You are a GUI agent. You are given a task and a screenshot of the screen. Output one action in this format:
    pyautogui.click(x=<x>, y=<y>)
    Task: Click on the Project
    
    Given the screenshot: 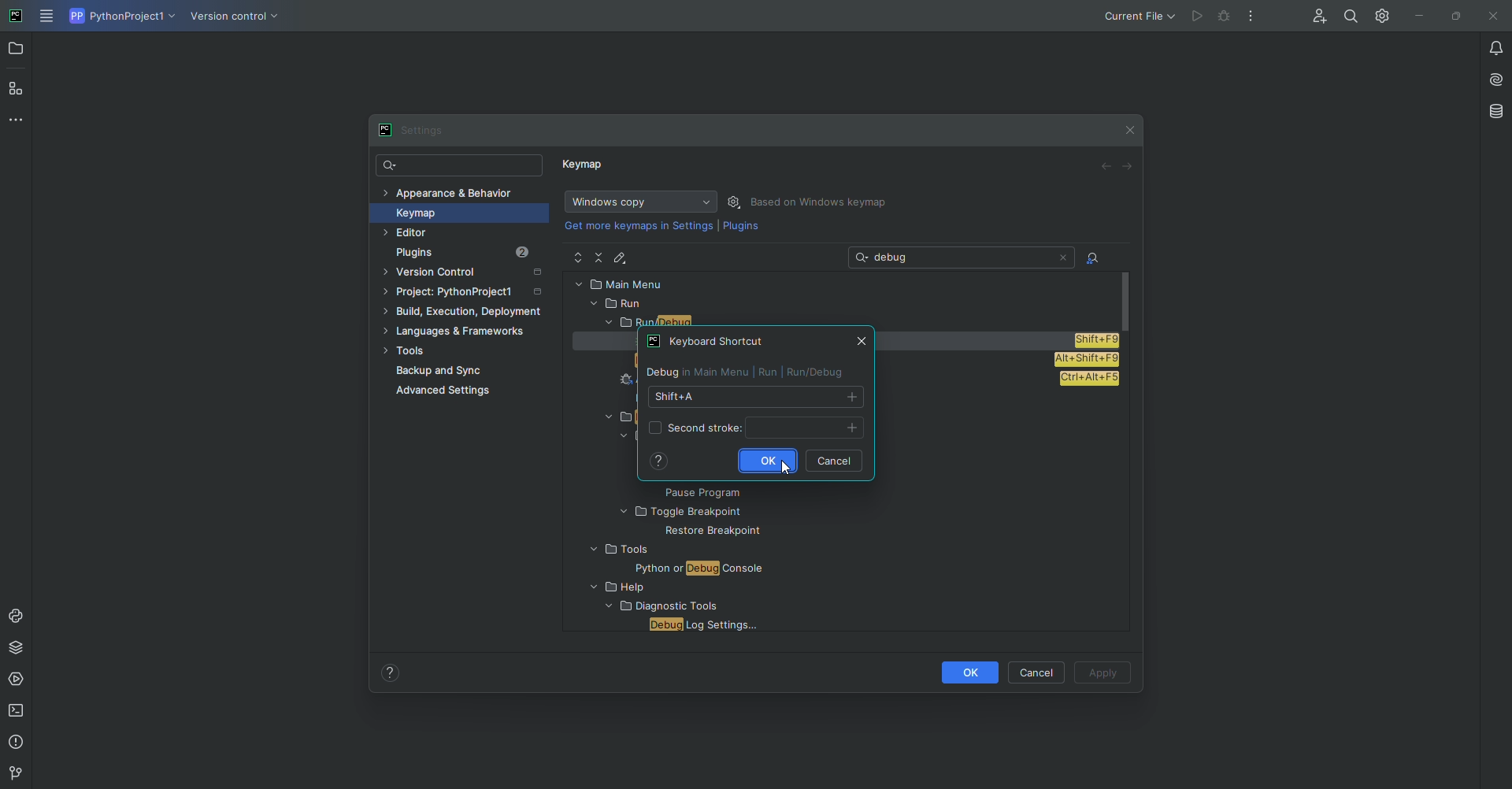 What is the action you would take?
    pyautogui.click(x=17, y=50)
    